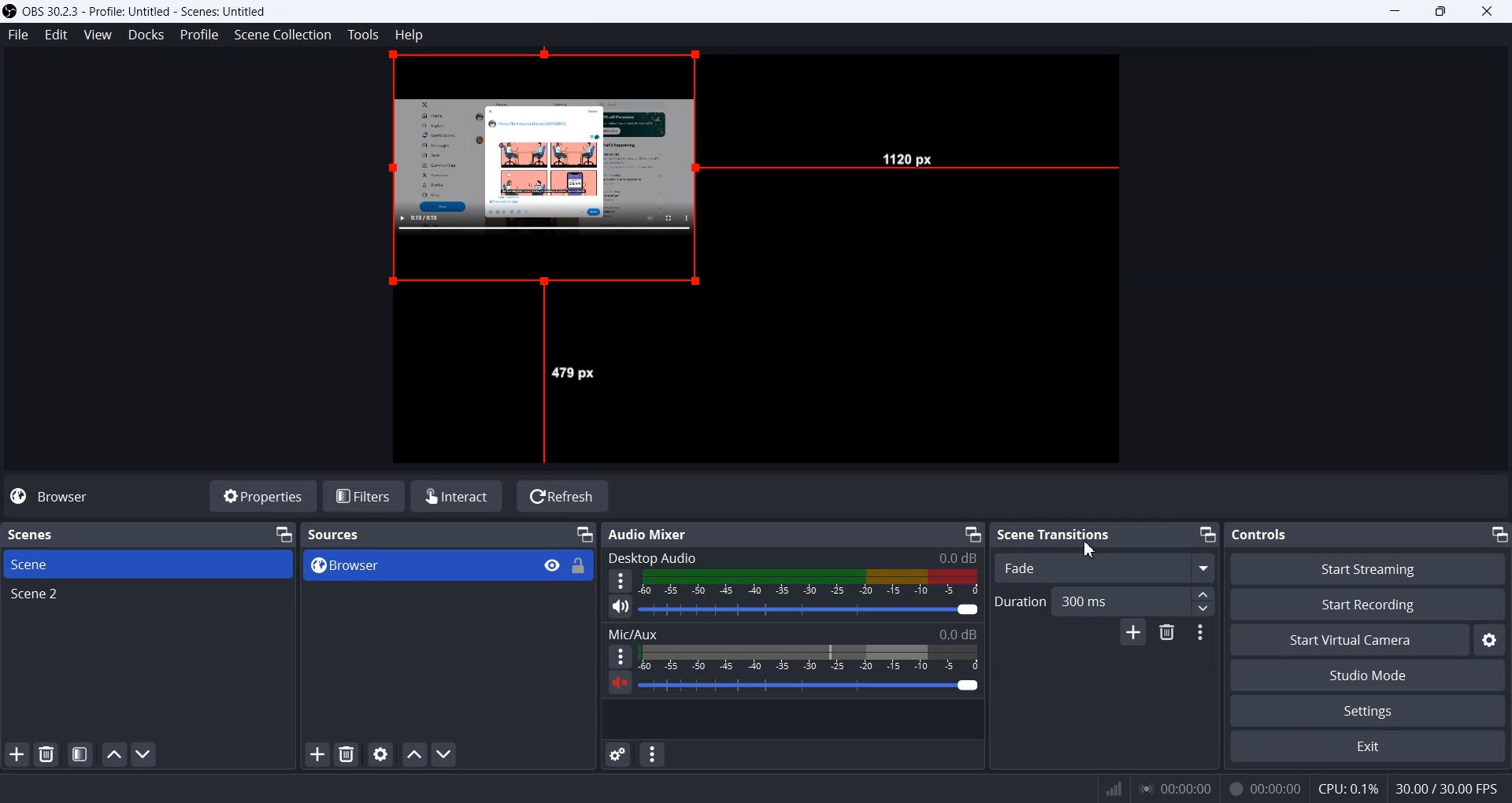 The height and width of the screenshot is (803, 1512). What do you see at coordinates (651, 754) in the screenshot?
I see `Audio mixer menu` at bounding box center [651, 754].